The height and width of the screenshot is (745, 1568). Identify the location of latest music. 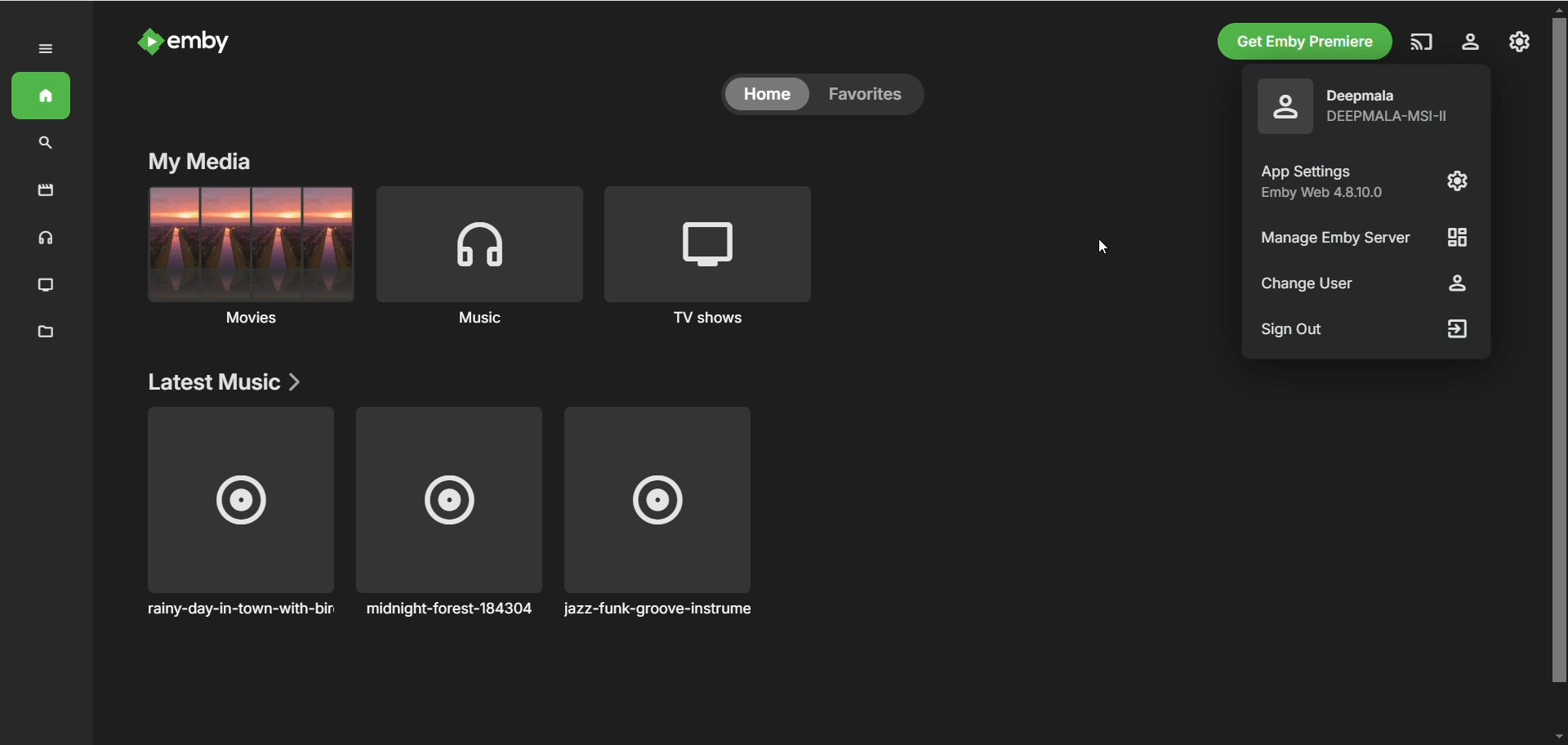
(225, 379).